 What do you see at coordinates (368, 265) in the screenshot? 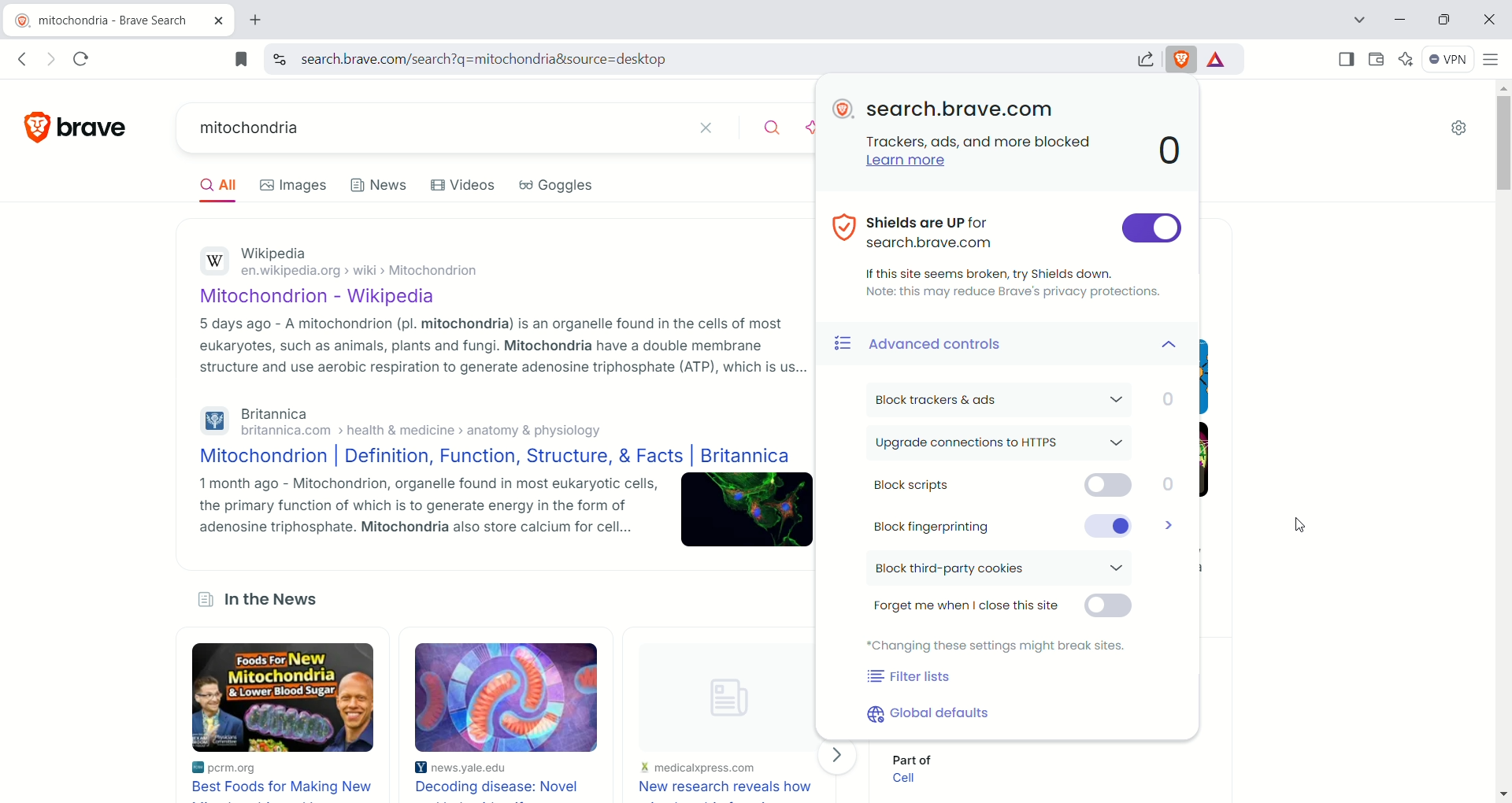
I see `Ww Wikipedia
en.wikipedia.org > wiki > Mitochondrion` at bounding box center [368, 265].